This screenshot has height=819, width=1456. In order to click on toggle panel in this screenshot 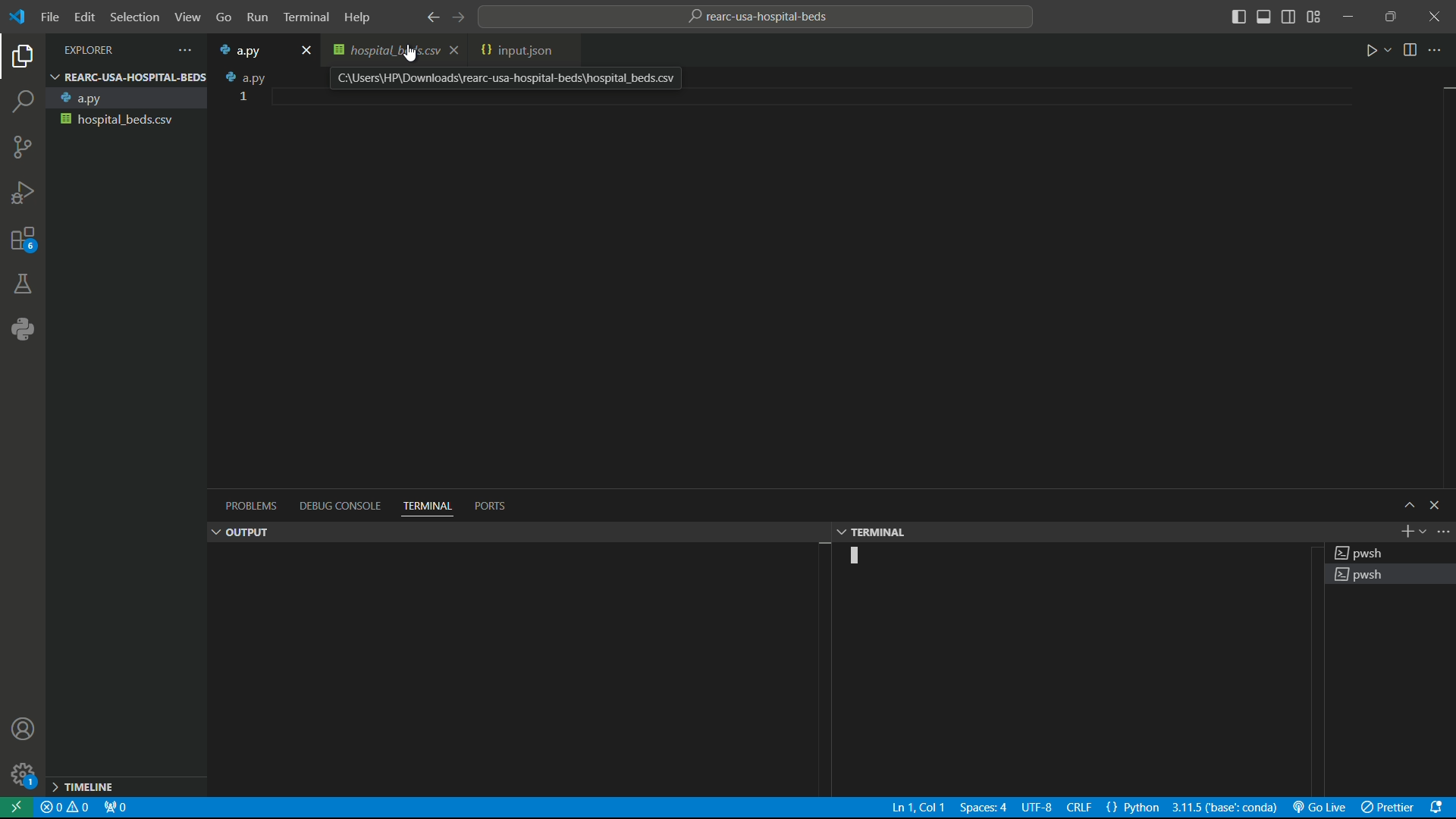, I will do `click(1264, 17)`.